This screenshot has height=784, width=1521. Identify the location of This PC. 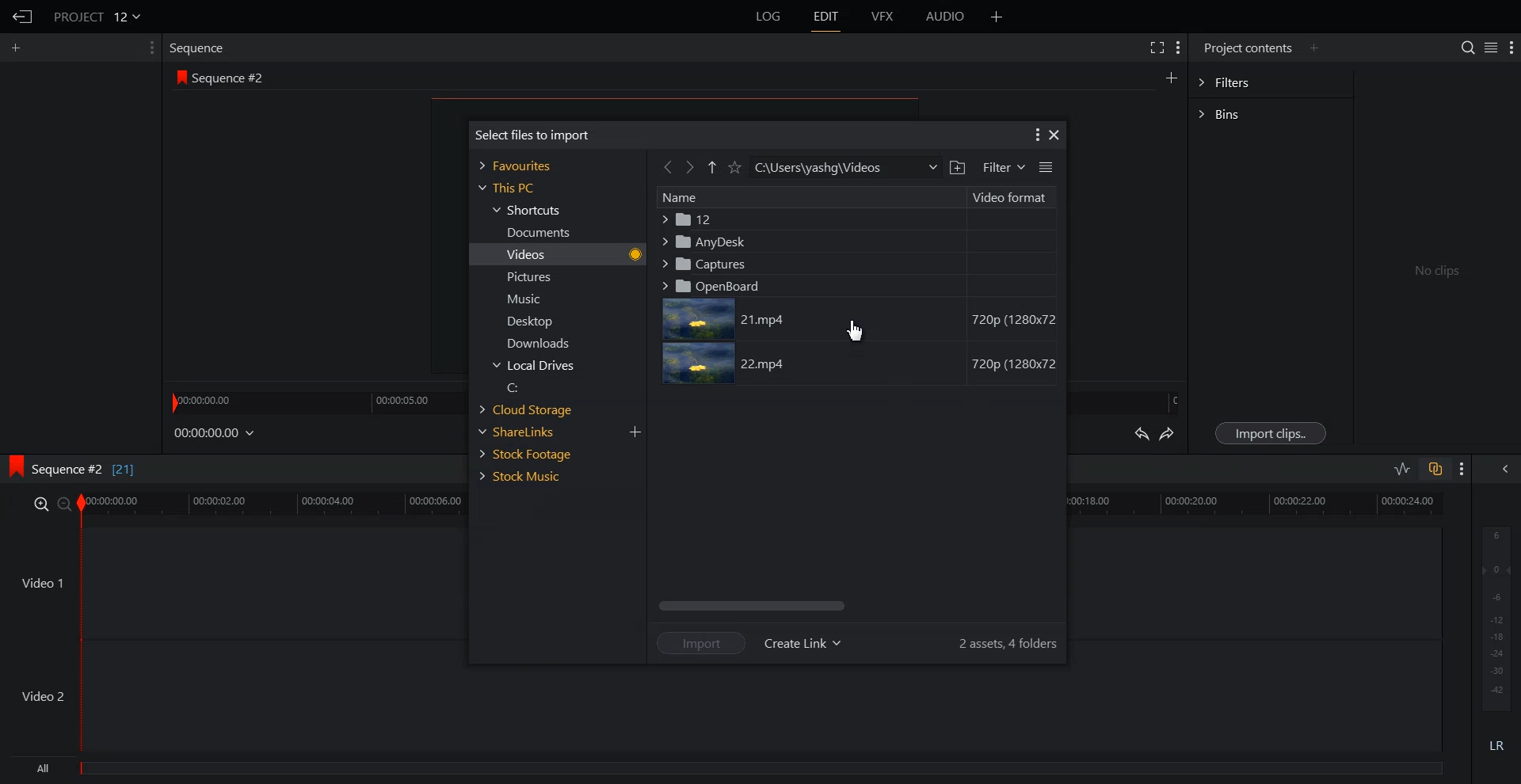
(505, 188).